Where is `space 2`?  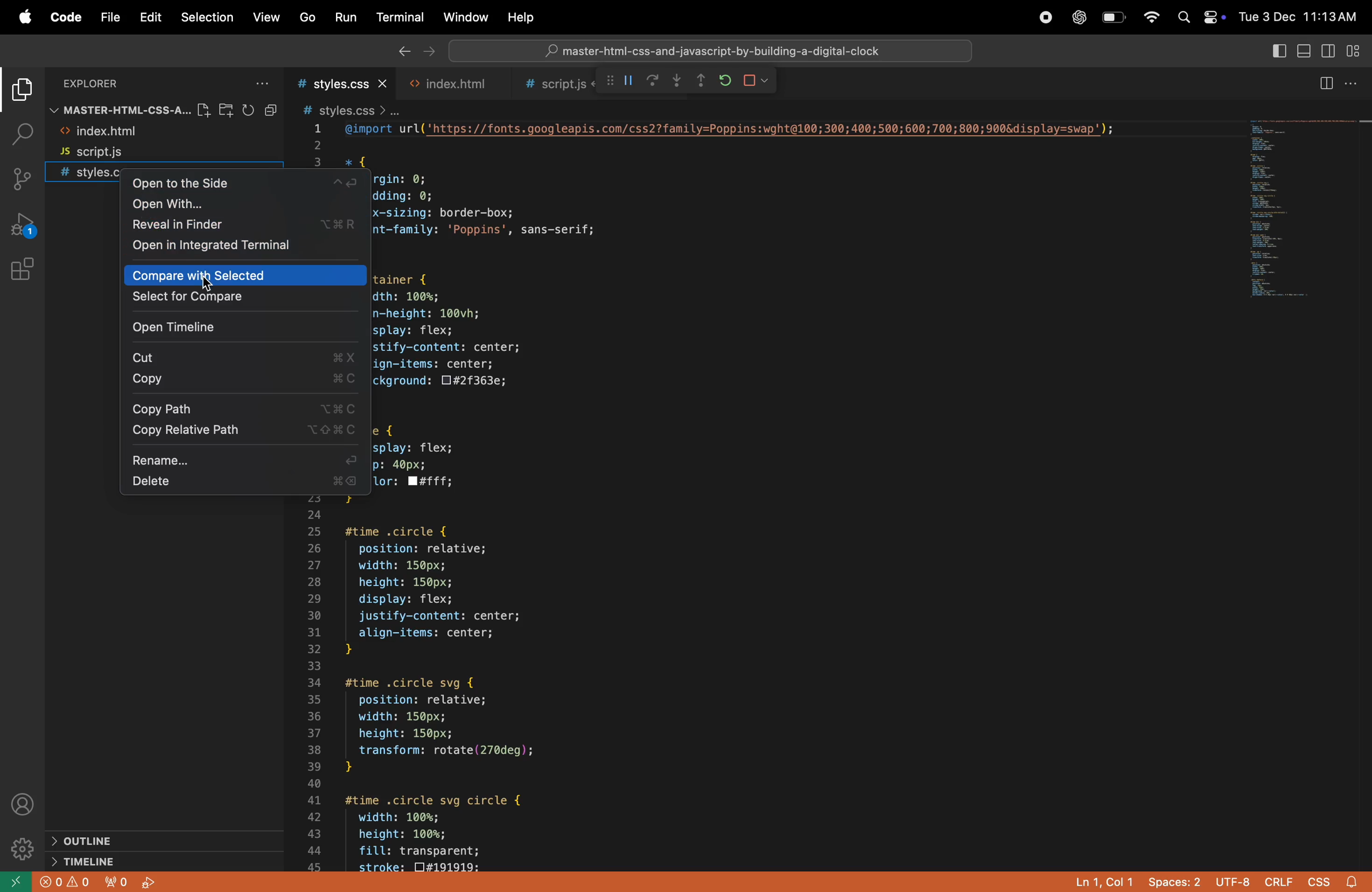 space 2 is located at coordinates (1174, 884).